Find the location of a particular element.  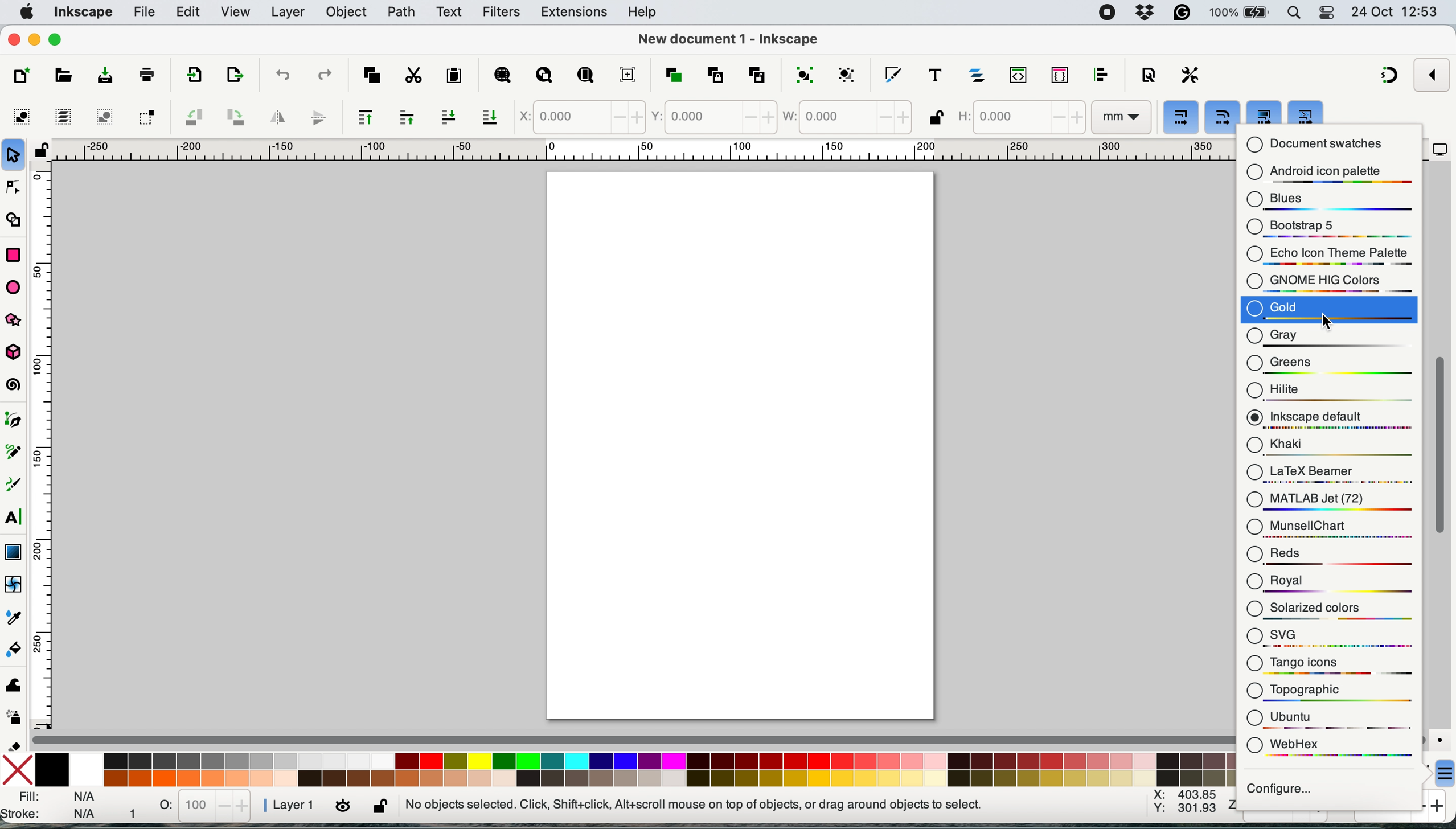

save is located at coordinates (104, 77).